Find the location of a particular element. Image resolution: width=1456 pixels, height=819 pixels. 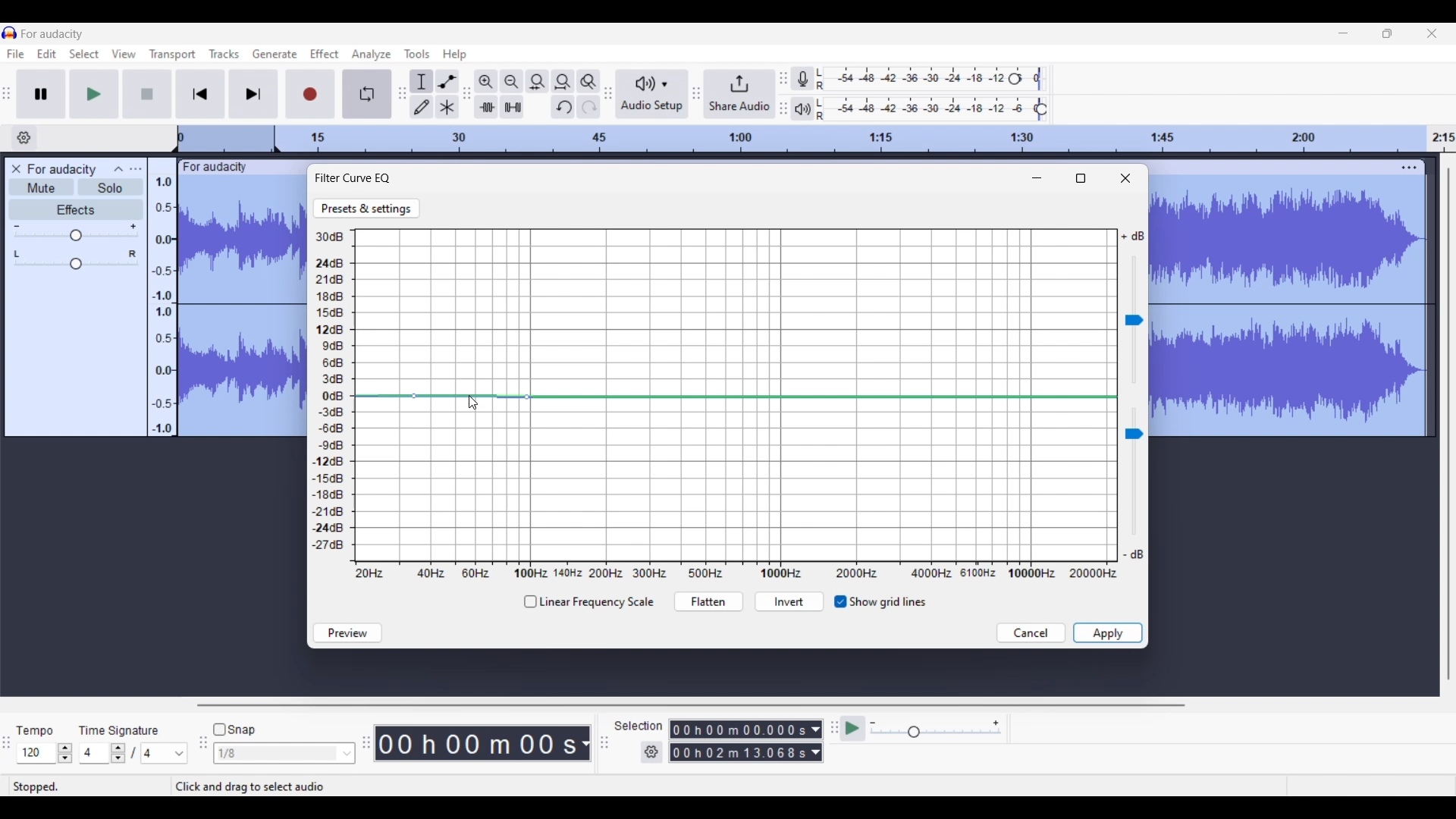

Fit selection to width is located at coordinates (537, 81).